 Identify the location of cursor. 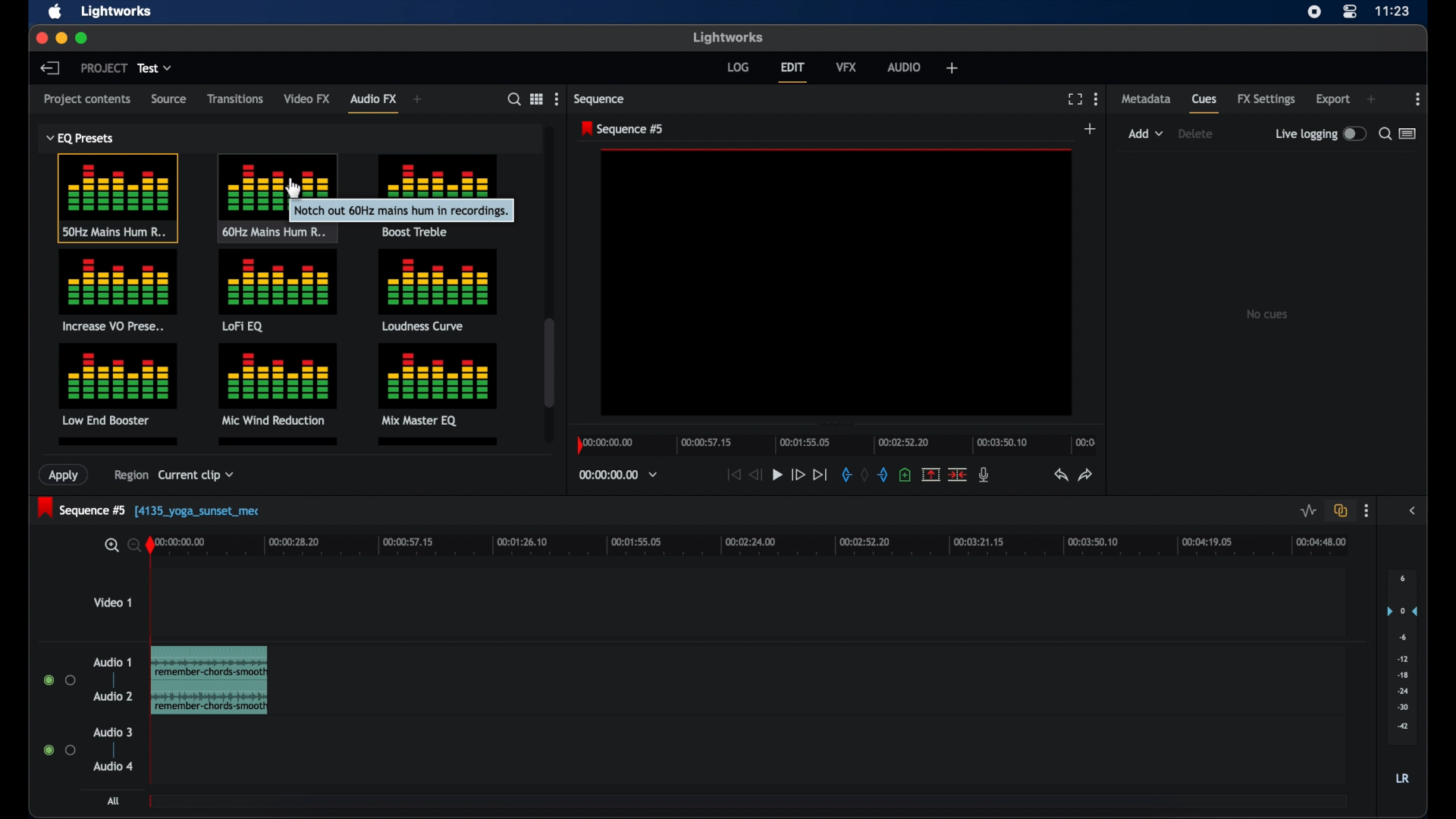
(289, 185).